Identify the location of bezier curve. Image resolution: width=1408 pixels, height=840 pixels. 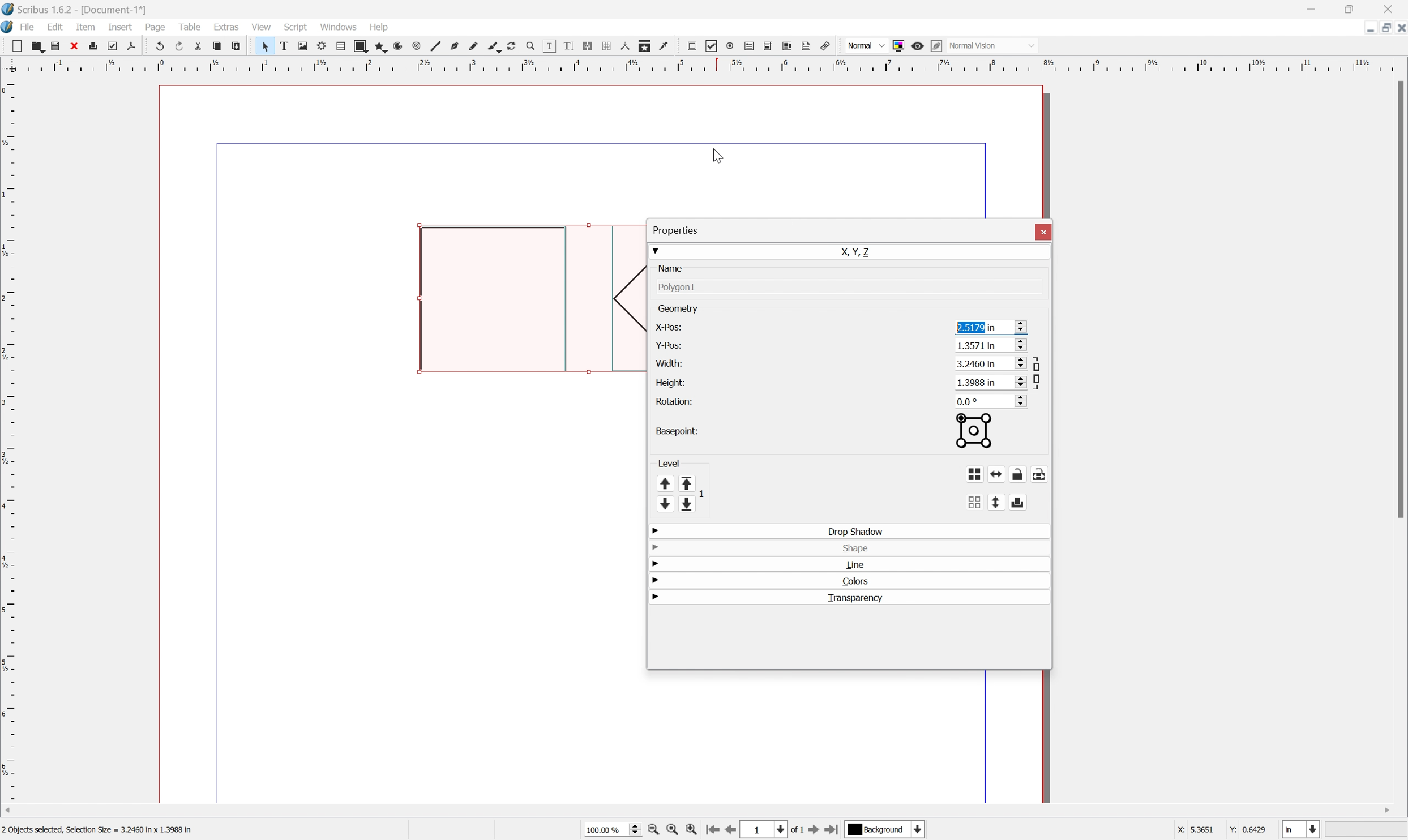
(452, 47).